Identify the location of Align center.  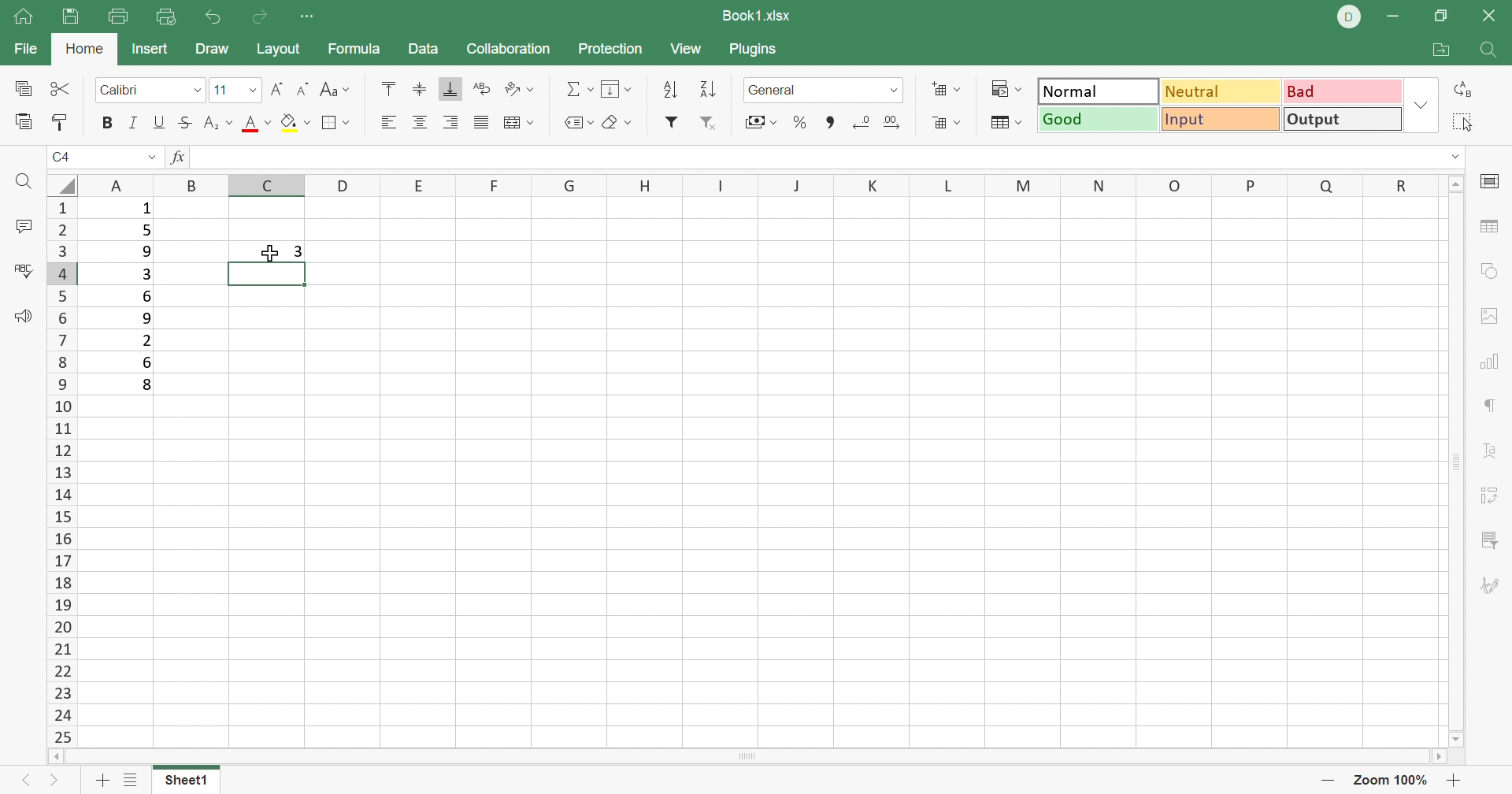
(419, 122).